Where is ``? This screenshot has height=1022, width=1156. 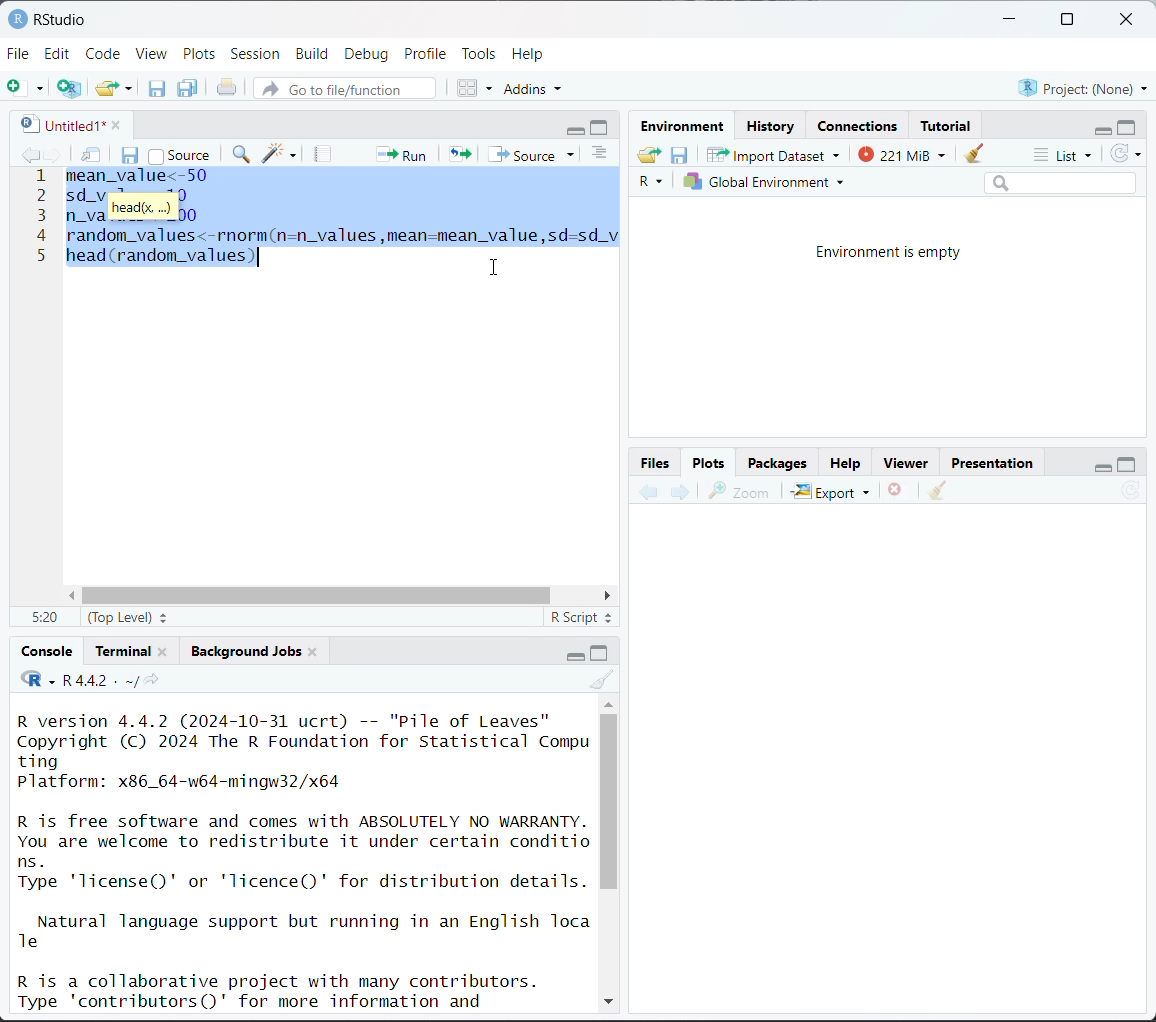
 is located at coordinates (657, 462).